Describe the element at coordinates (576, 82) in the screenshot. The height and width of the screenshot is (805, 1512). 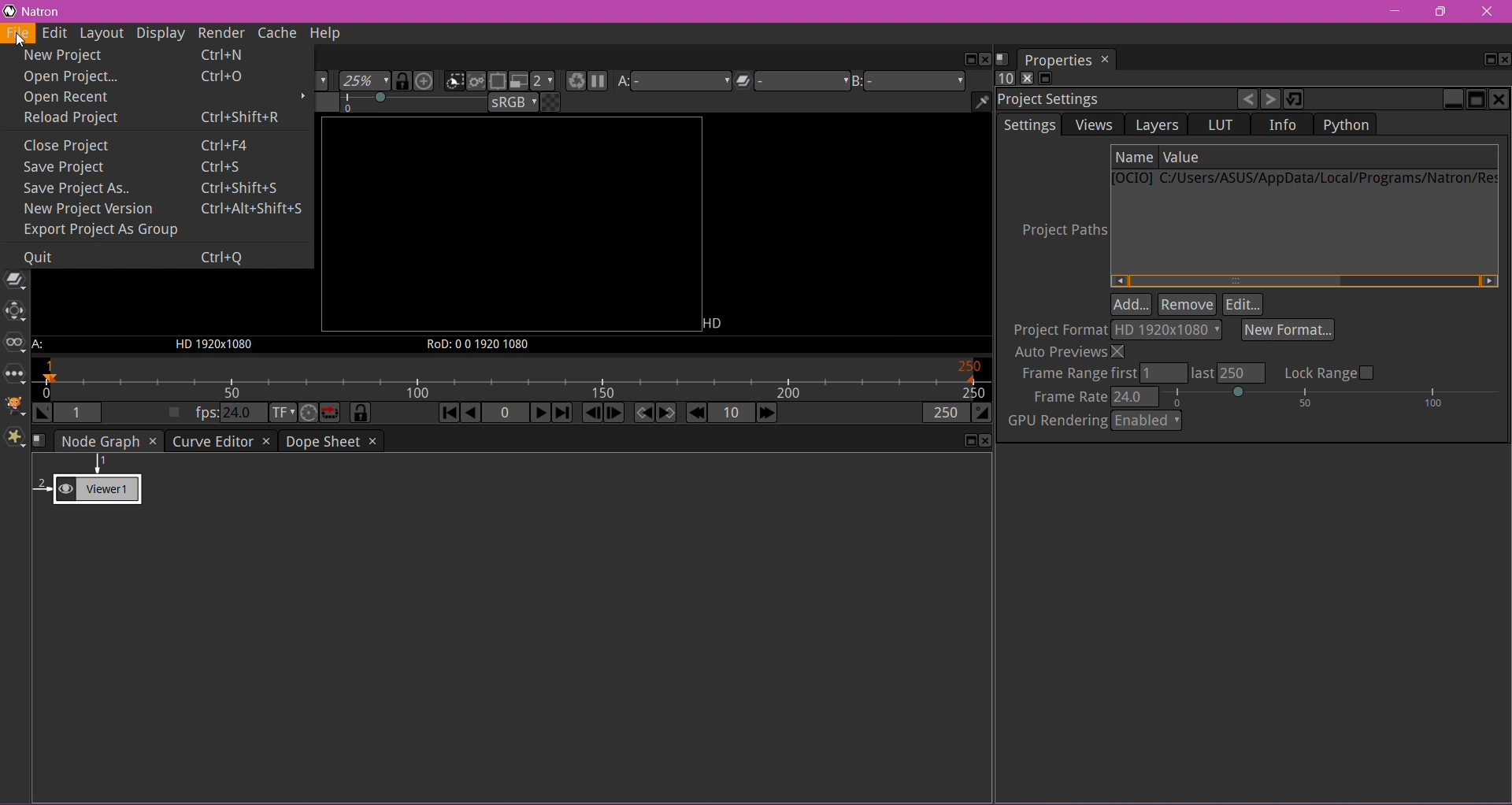
I see `Forces a new render of the current frame` at that location.